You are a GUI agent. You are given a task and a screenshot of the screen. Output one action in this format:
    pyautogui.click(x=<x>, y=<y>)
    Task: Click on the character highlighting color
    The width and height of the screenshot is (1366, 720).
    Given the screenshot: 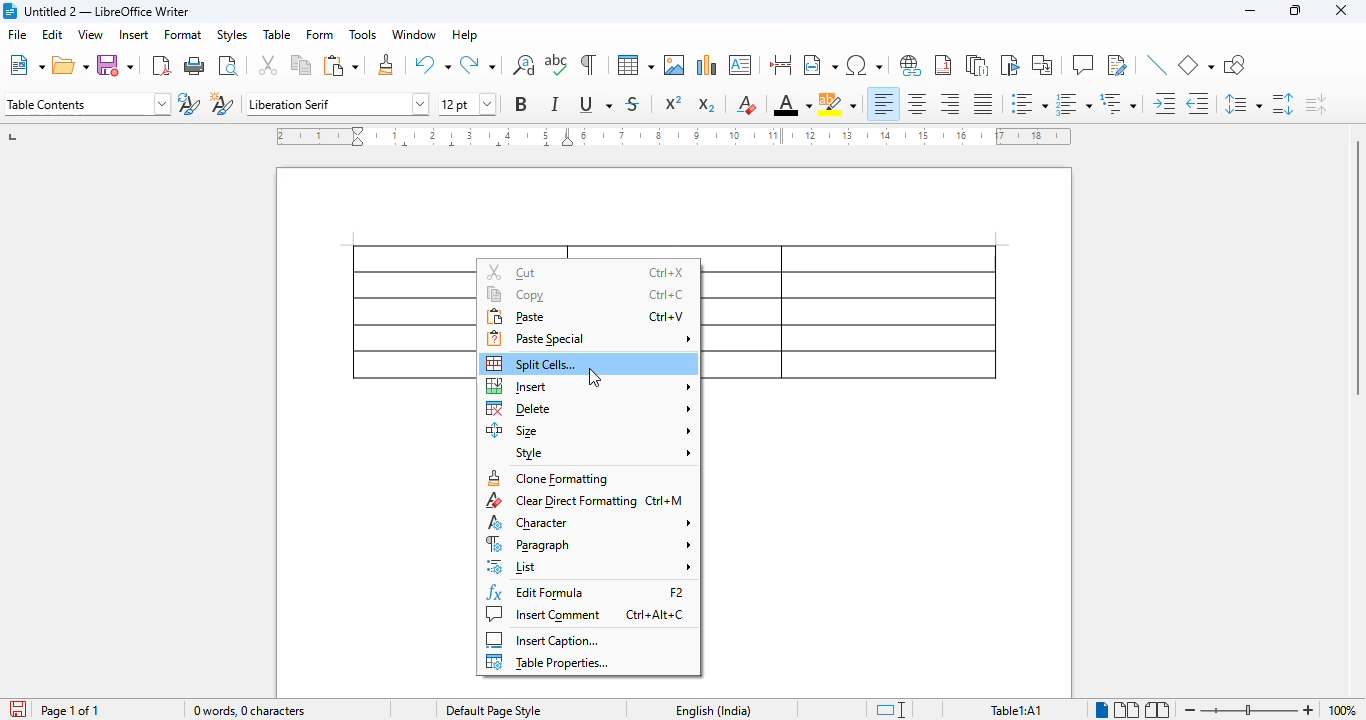 What is the action you would take?
    pyautogui.click(x=838, y=104)
    